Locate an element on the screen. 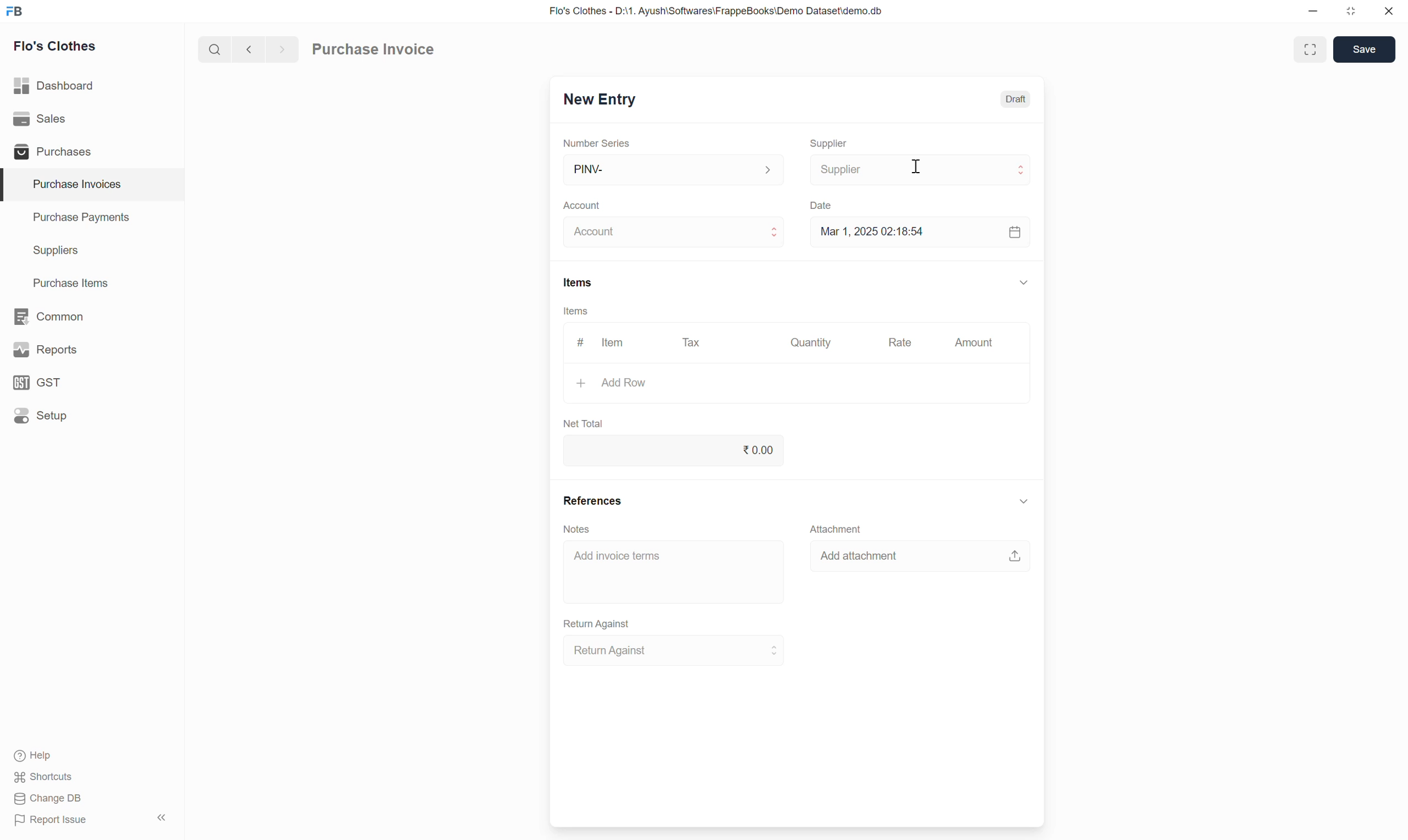  Collapse is located at coordinates (1024, 282).